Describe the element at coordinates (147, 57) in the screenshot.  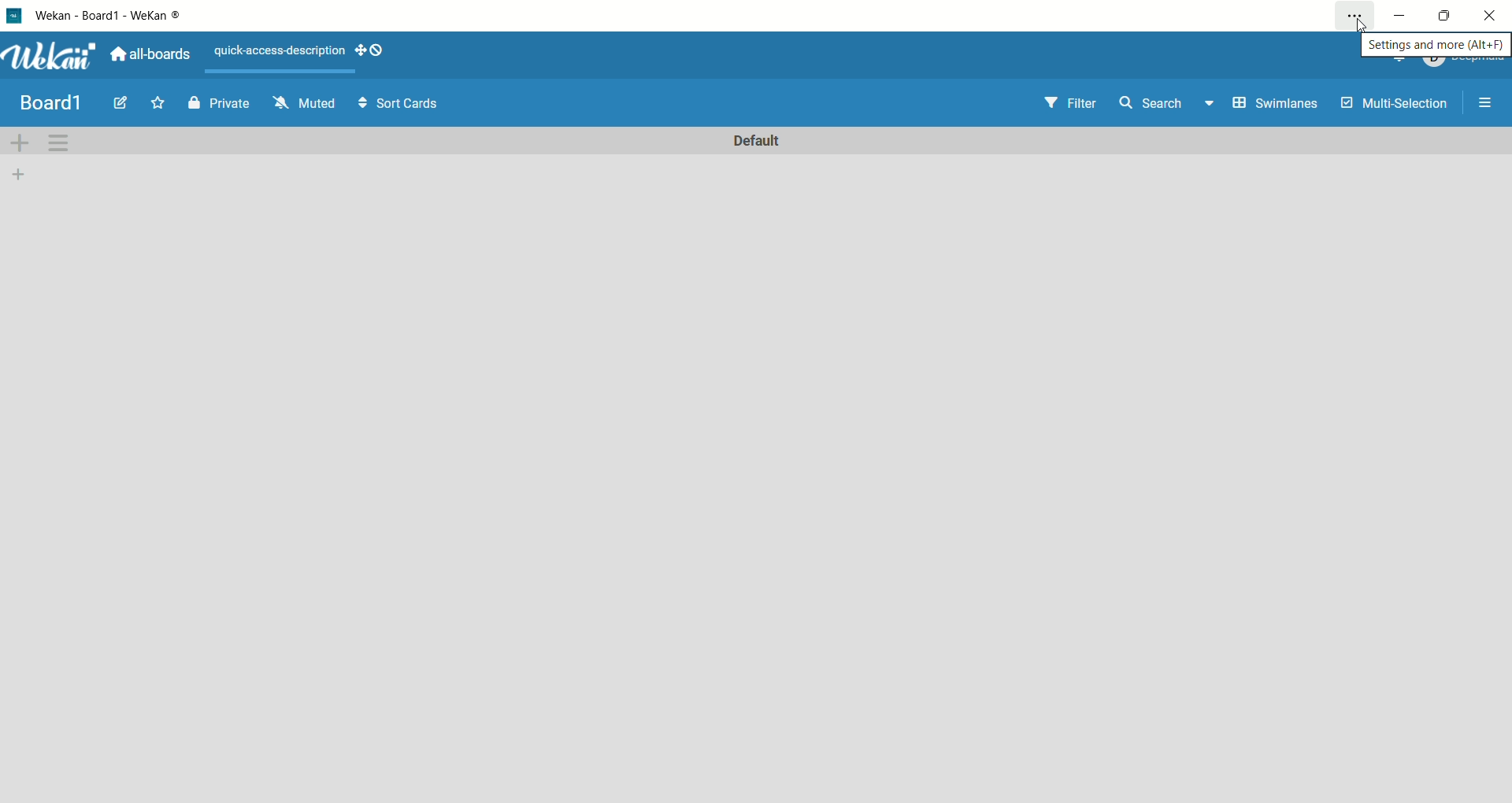
I see `all boards` at that location.